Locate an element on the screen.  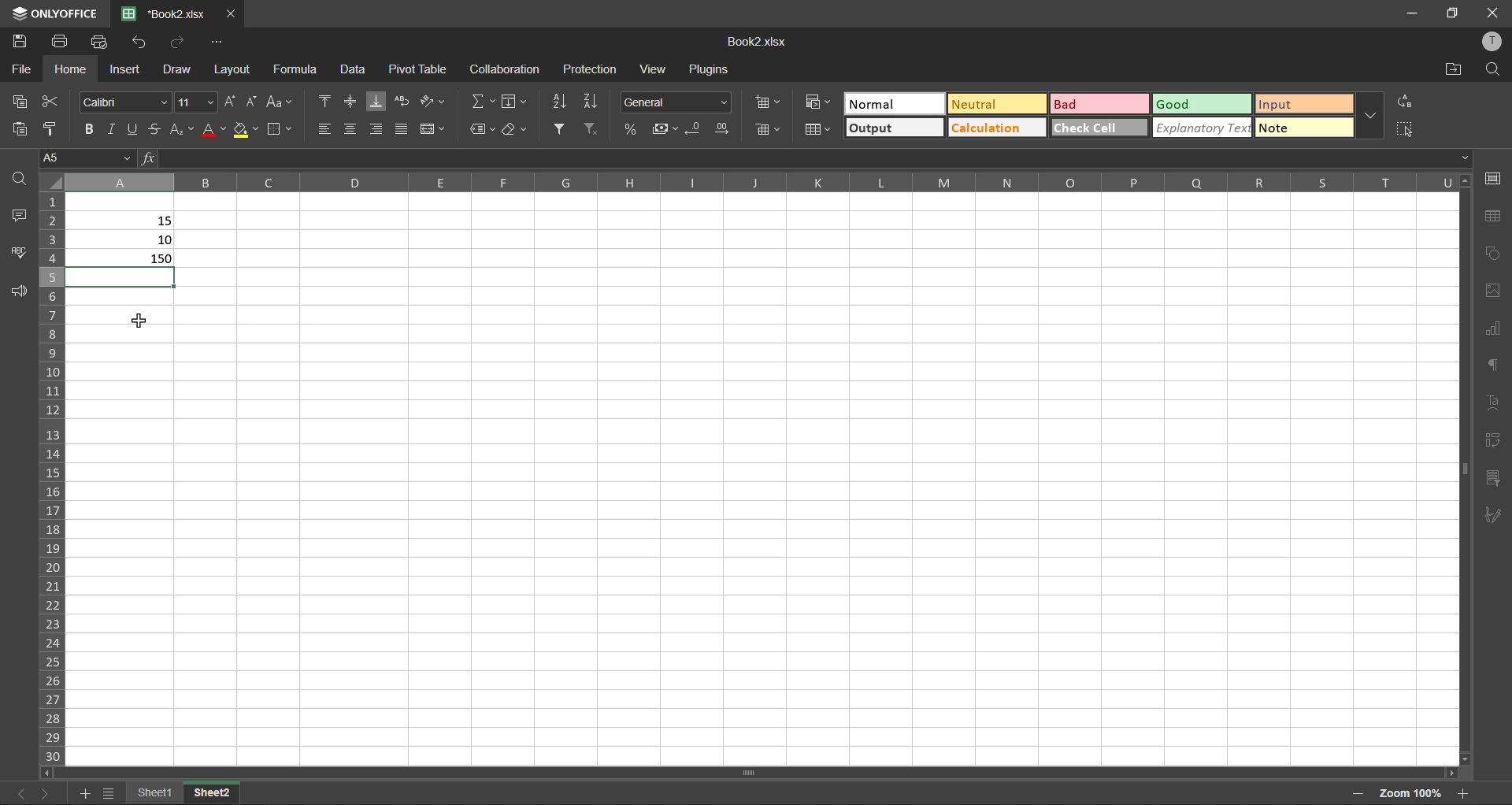
accounting is located at coordinates (665, 128).